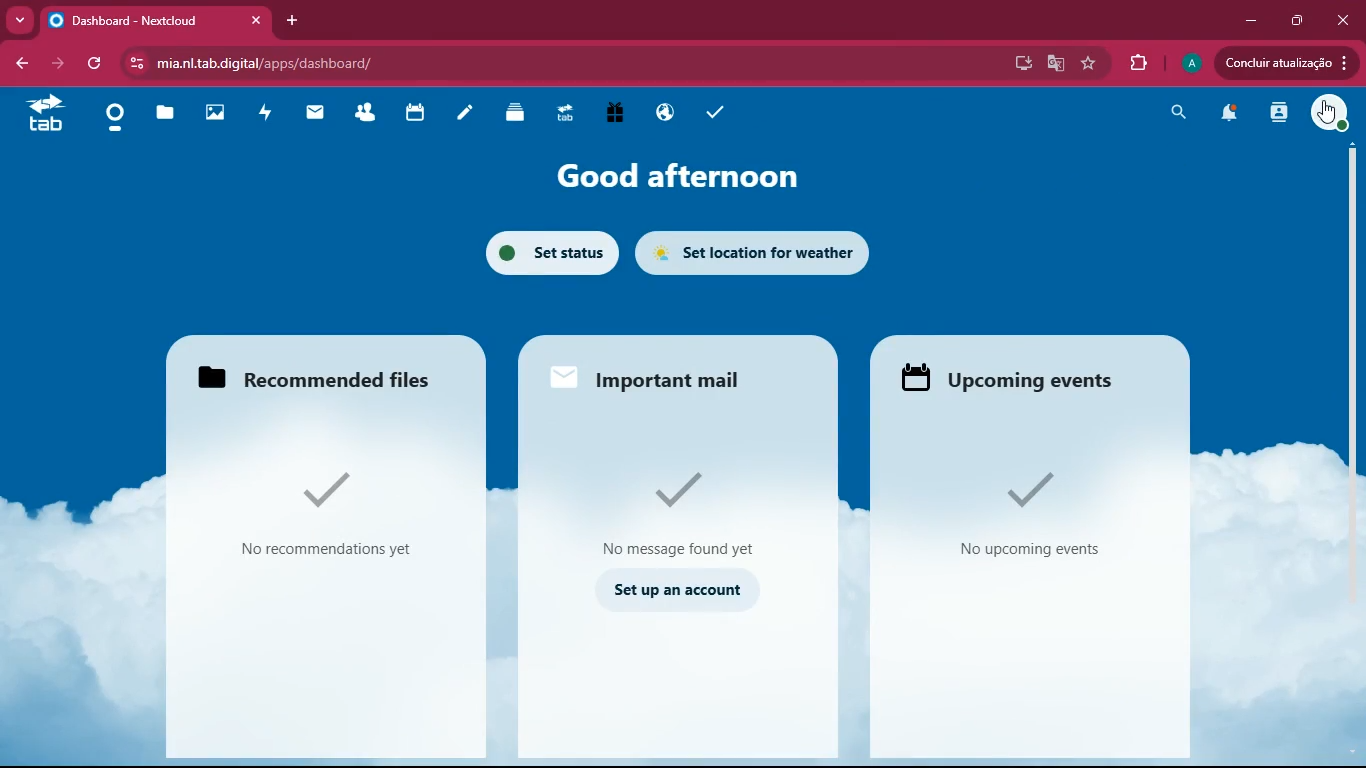 Image resolution: width=1366 pixels, height=768 pixels. What do you see at coordinates (313, 377) in the screenshot?
I see `Recommended files` at bounding box center [313, 377].